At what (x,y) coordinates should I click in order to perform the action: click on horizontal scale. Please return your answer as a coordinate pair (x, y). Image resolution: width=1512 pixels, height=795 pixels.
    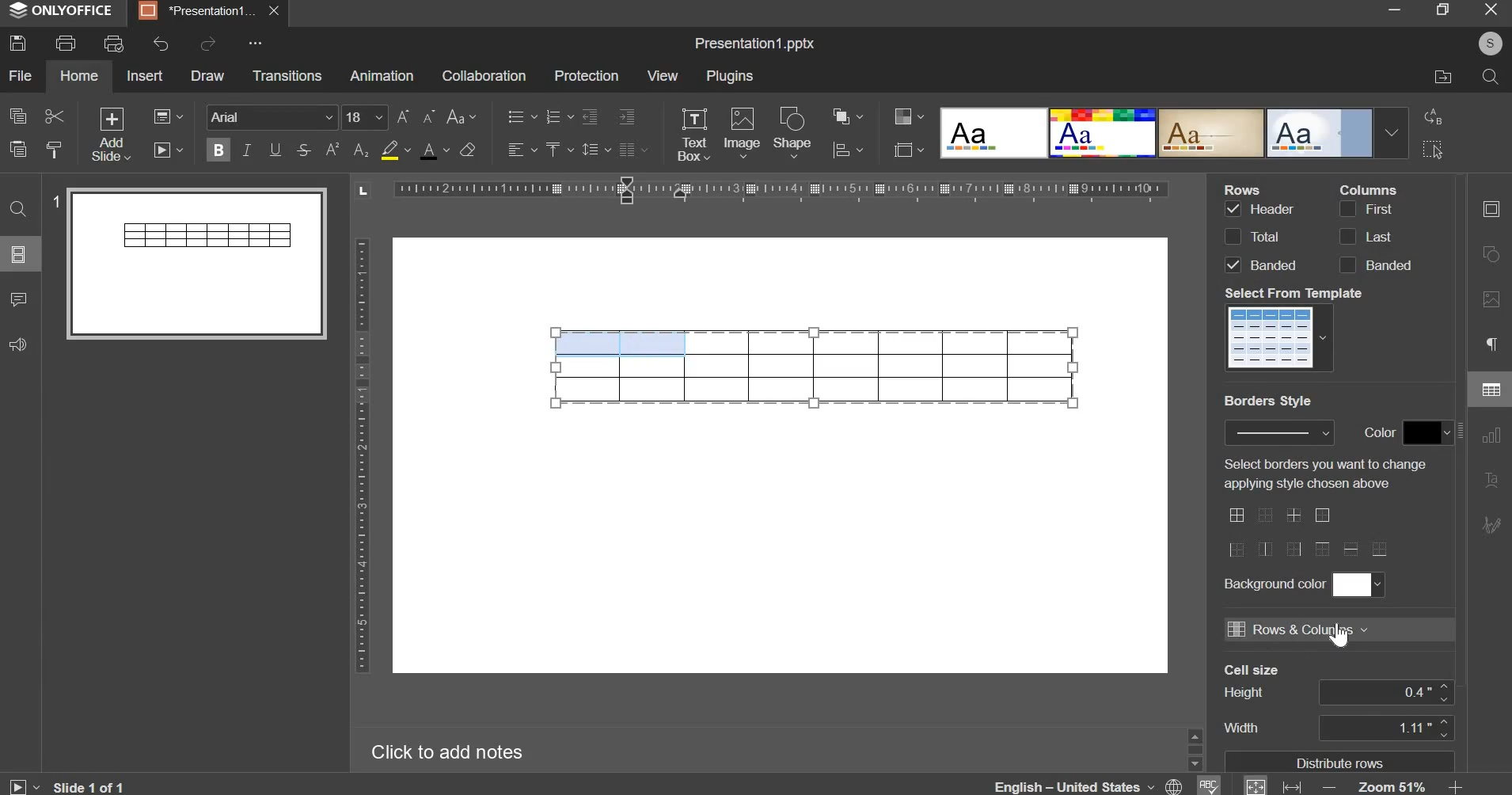
    Looking at the image, I should click on (763, 194).